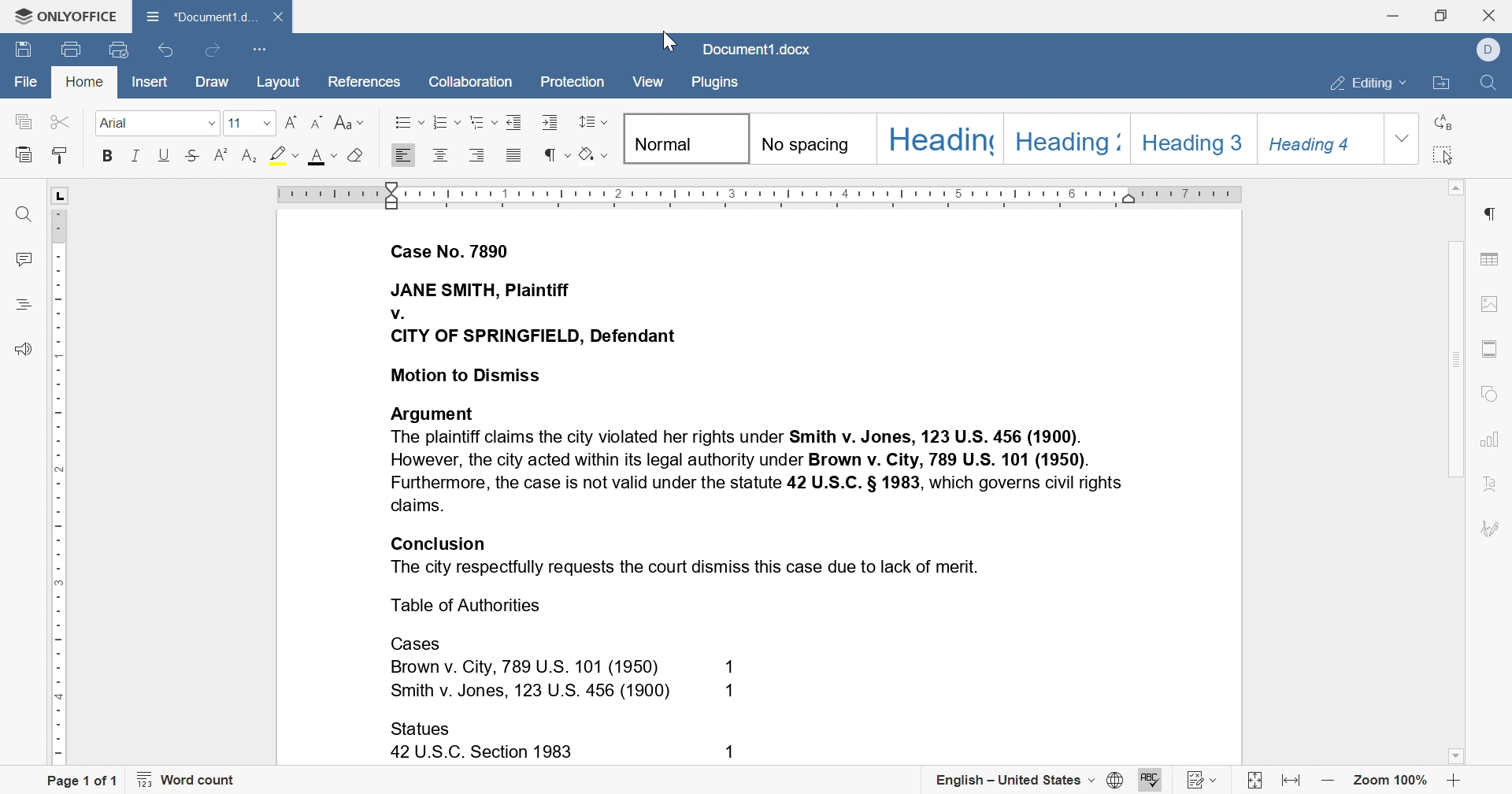 The height and width of the screenshot is (794, 1512). I want to click on ONLYOFFICE, so click(63, 19).